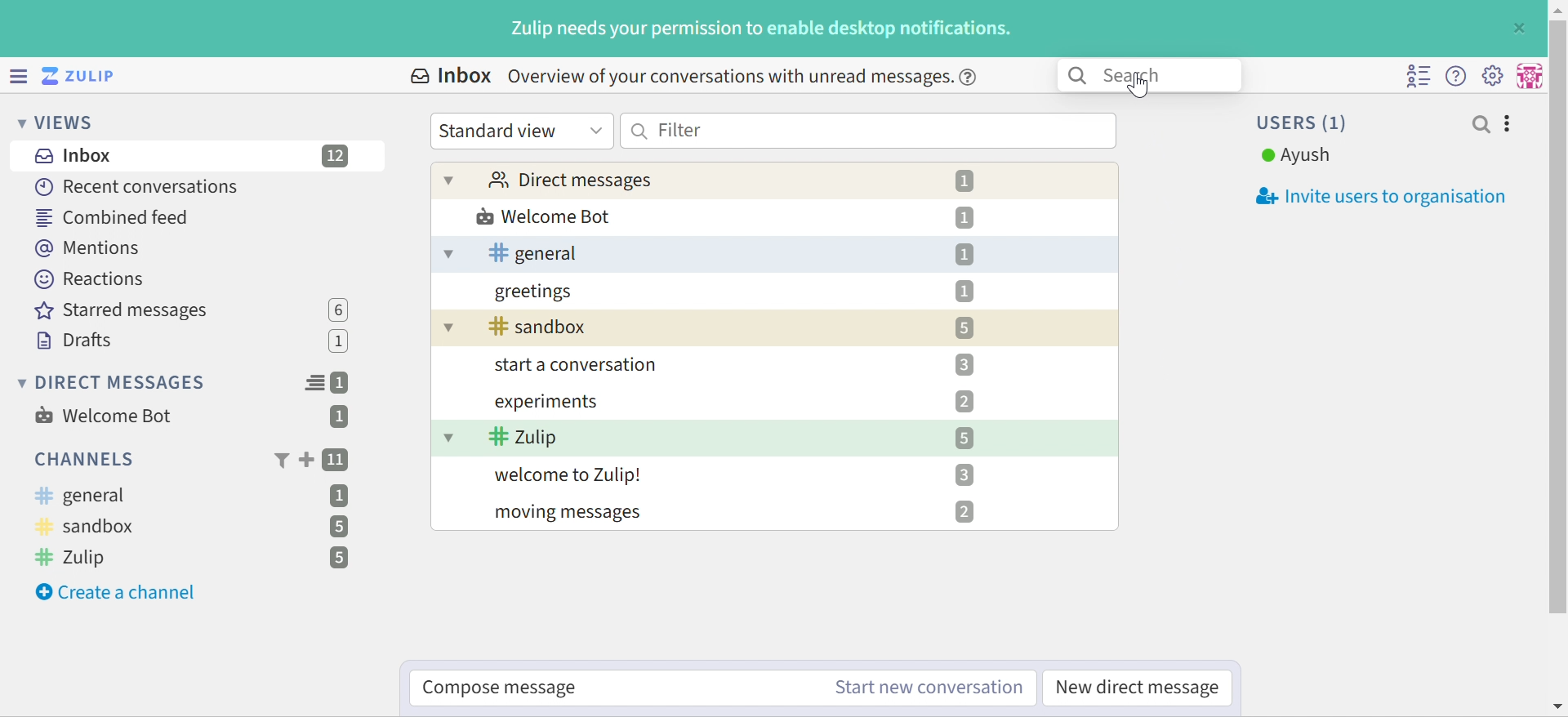  Describe the element at coordinates (339, 559) in the screenshot. I see `5` at that location.